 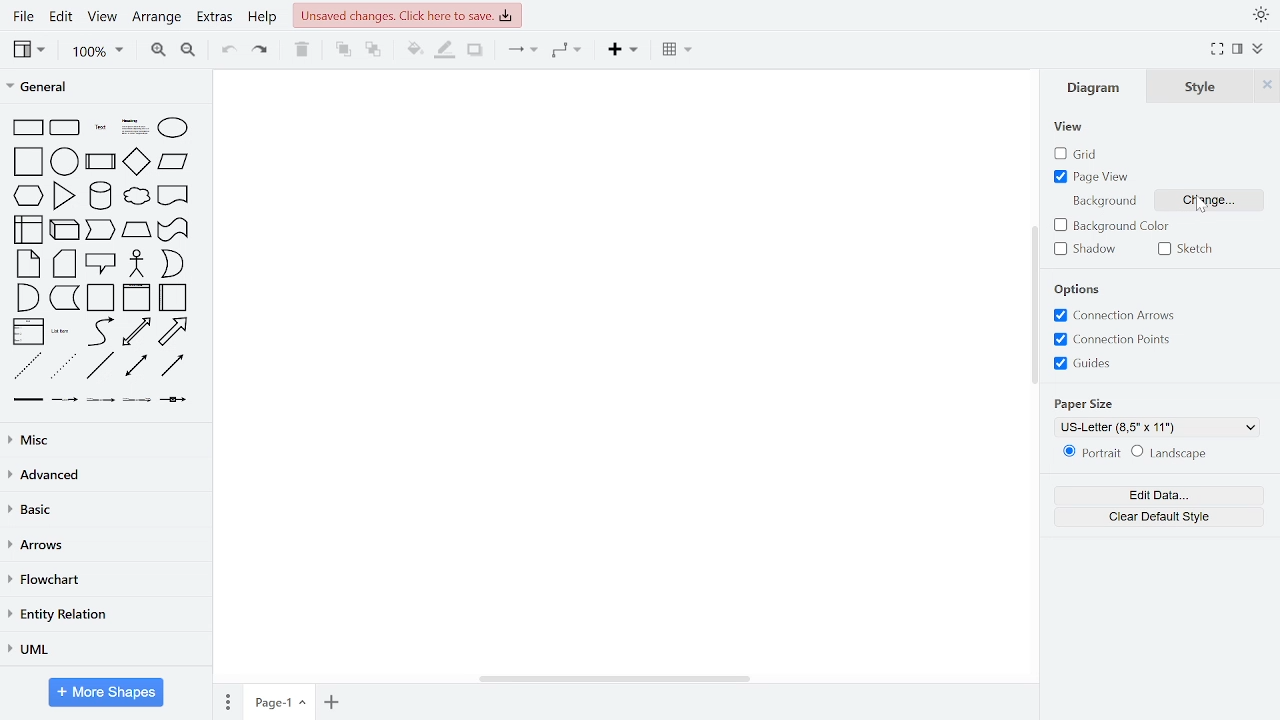 What do you see at coordinates (134, 332) in the screenshot?
I see `general shapes` at bounding box center [134, 332].